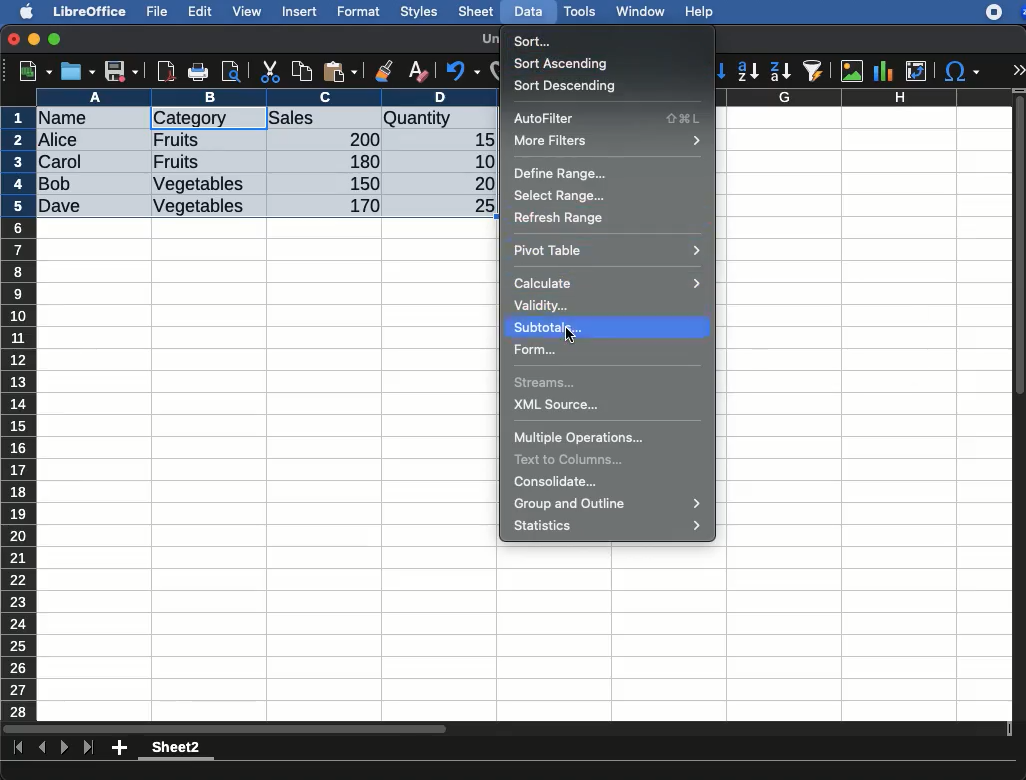 The width and height of the screenshot is (1026, 780). What do you see at coordinates (479, 140) in the screenshot?
I see `15` at bounding box center [479, 140].